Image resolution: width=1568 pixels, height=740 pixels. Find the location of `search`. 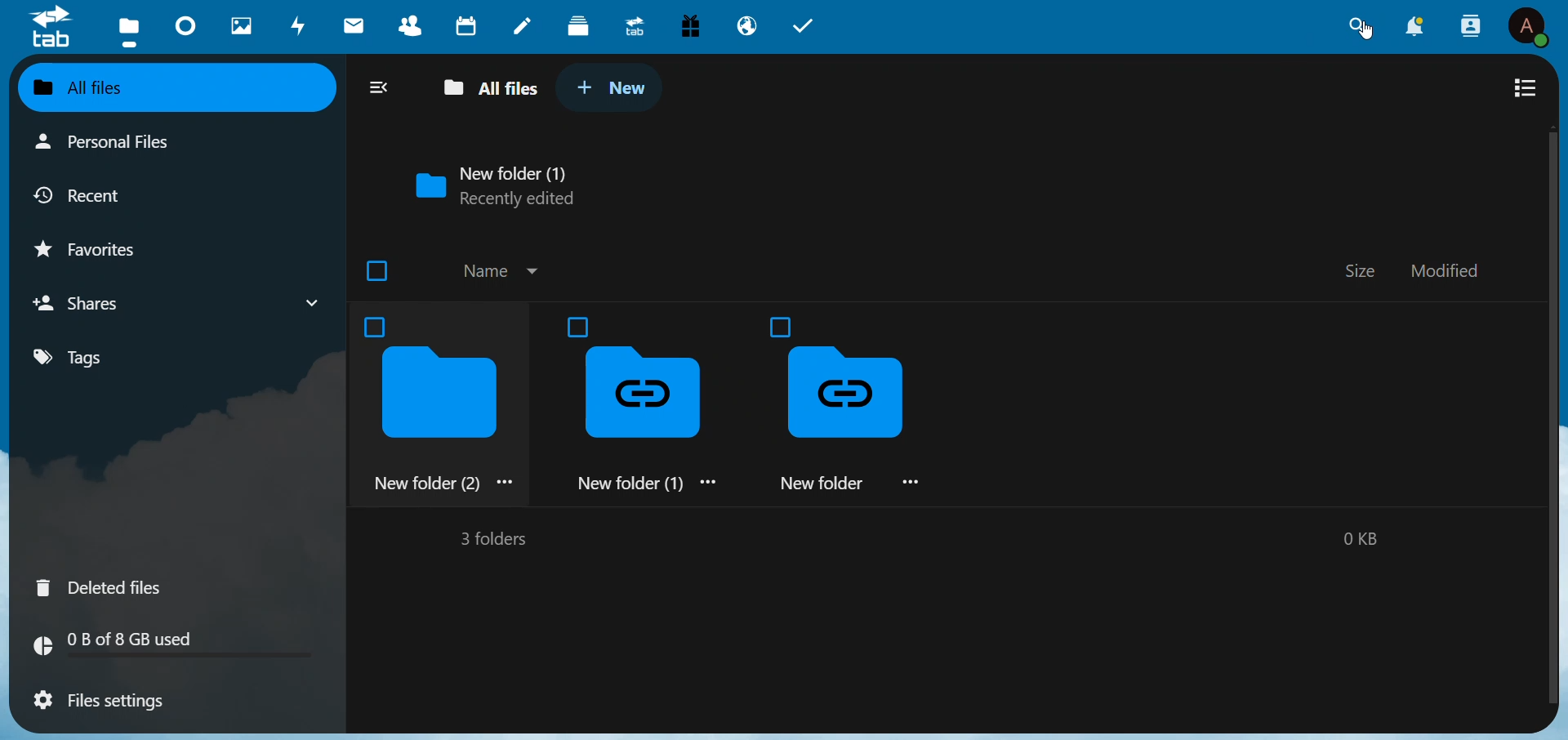

search is located at coordinates (1356, 25).